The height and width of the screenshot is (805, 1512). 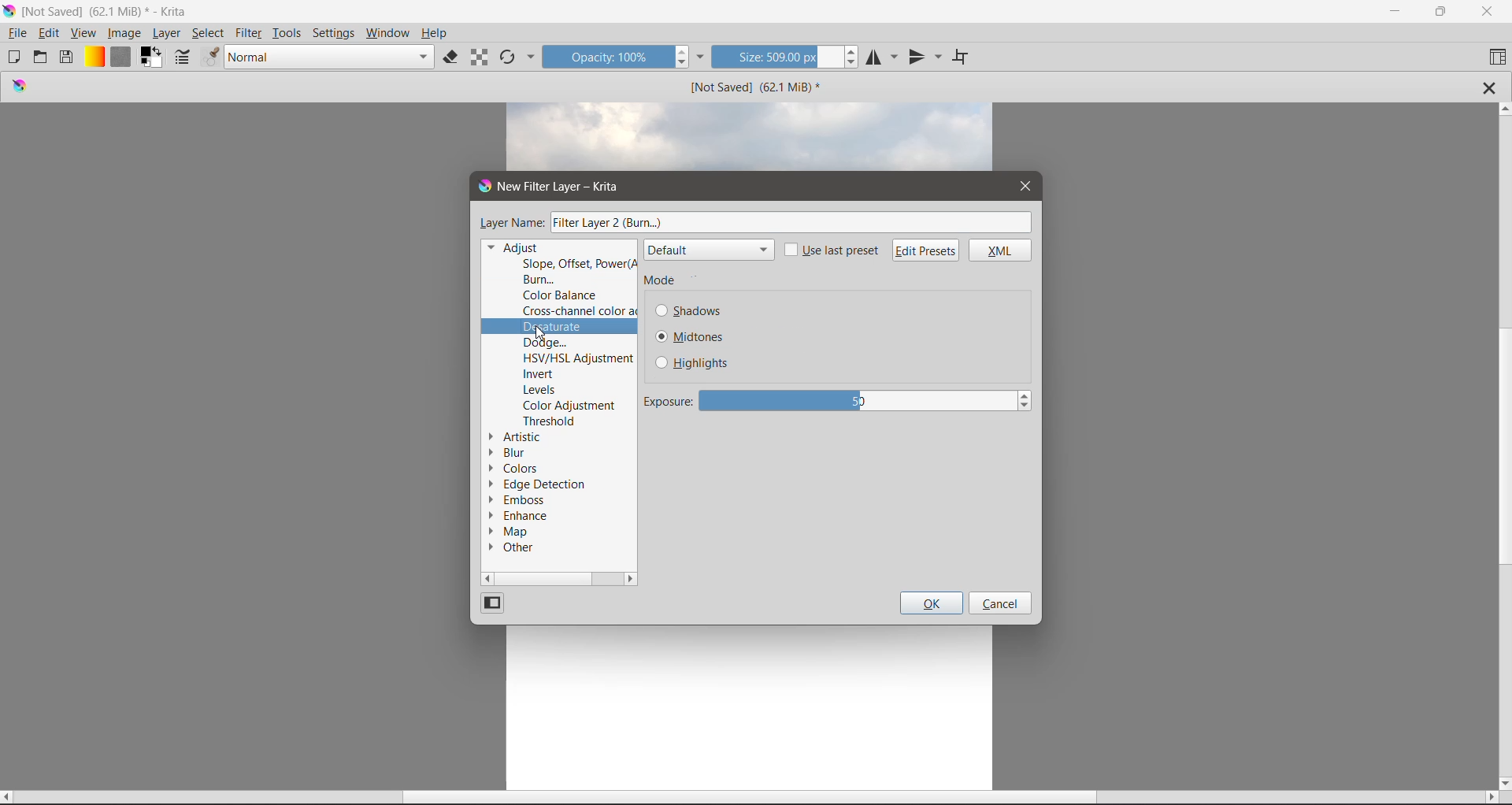 I want to click on Levels, so click(x=539, y=391).